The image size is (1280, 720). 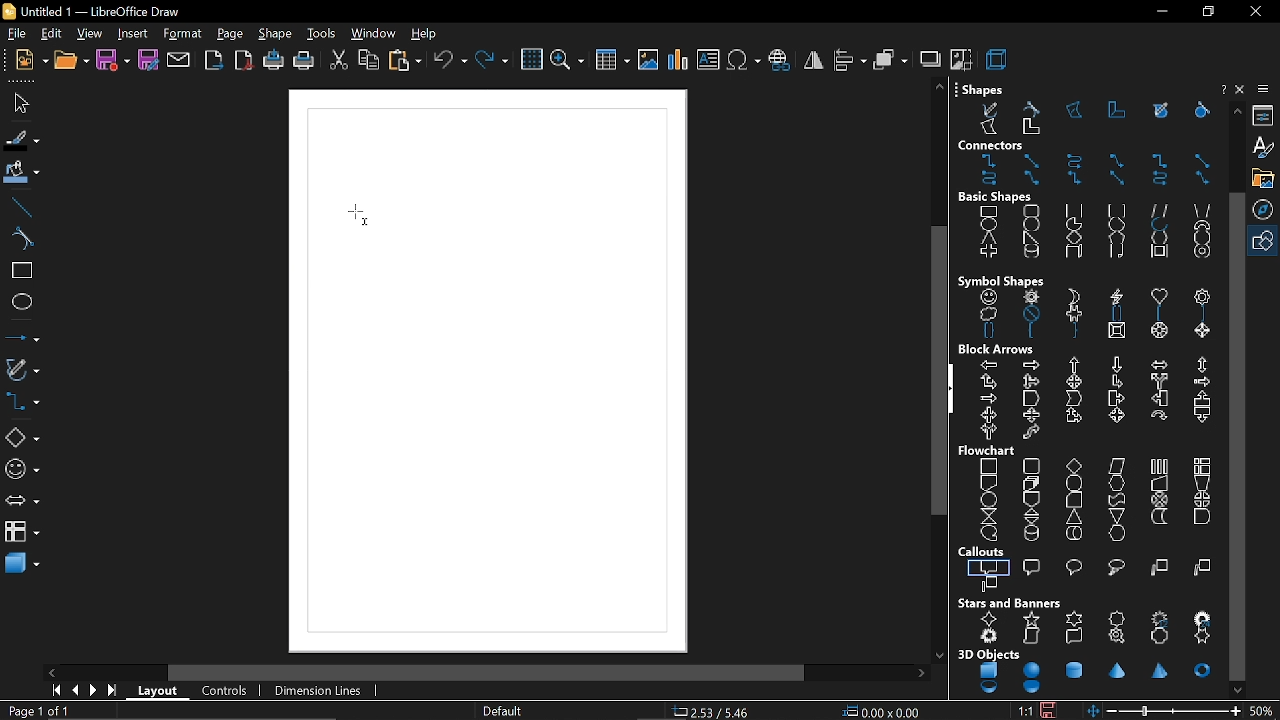 I want to click on manual input, so click(x=1159, y=483).